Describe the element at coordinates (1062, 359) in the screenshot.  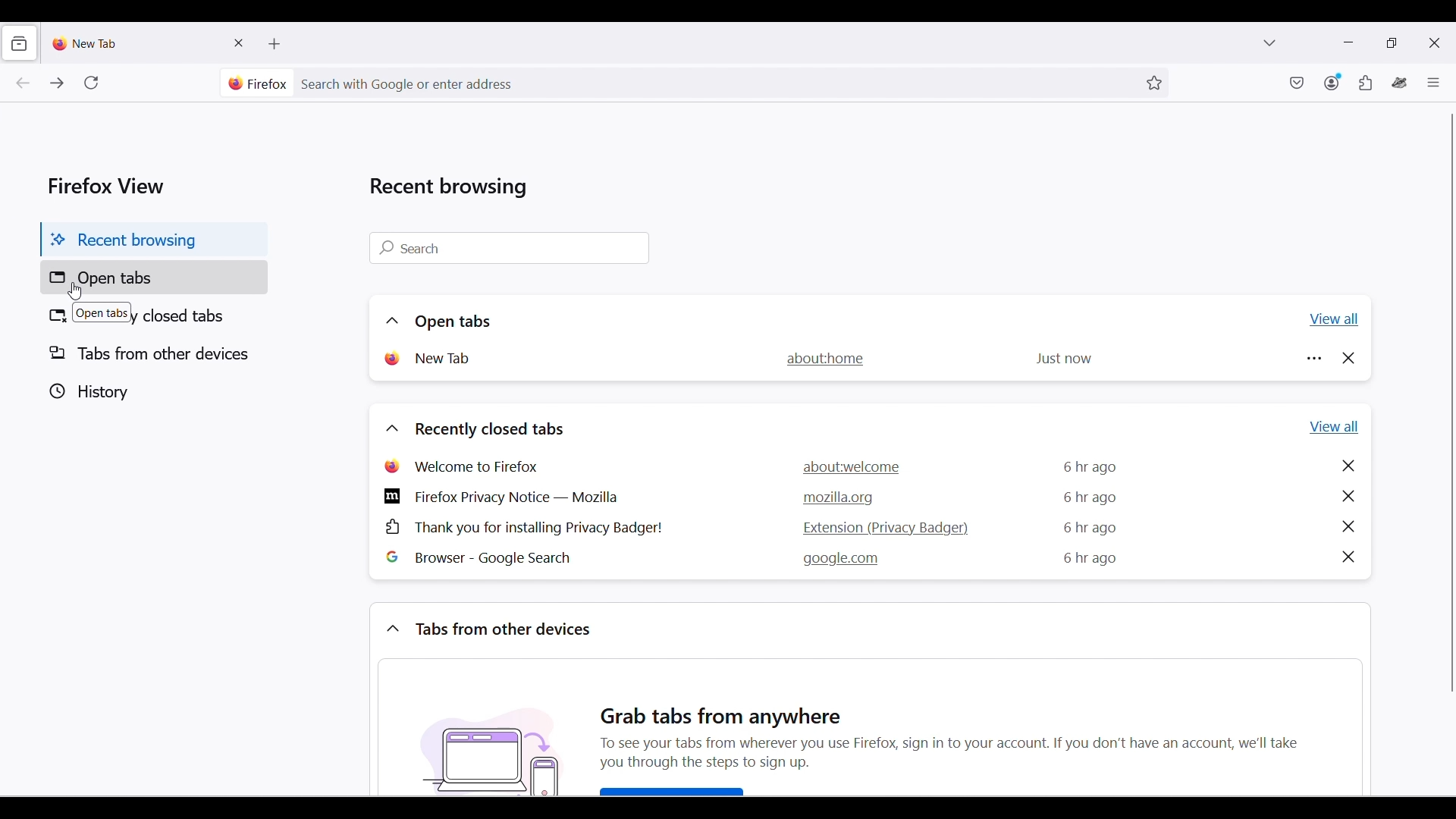
I see `Last used time of New Tab` at that location.